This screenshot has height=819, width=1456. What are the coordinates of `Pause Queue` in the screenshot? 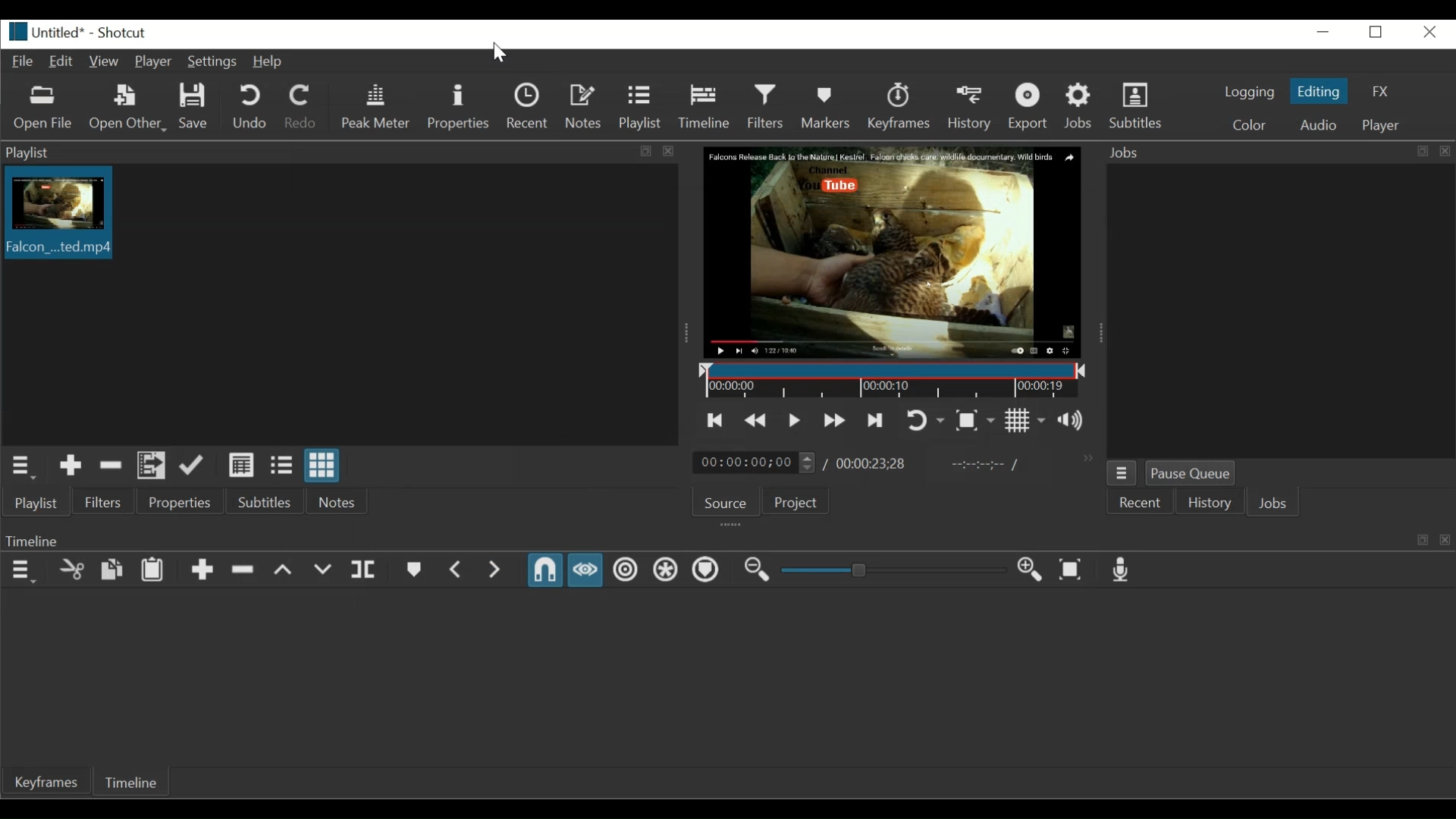 It's located at (1193, 472).